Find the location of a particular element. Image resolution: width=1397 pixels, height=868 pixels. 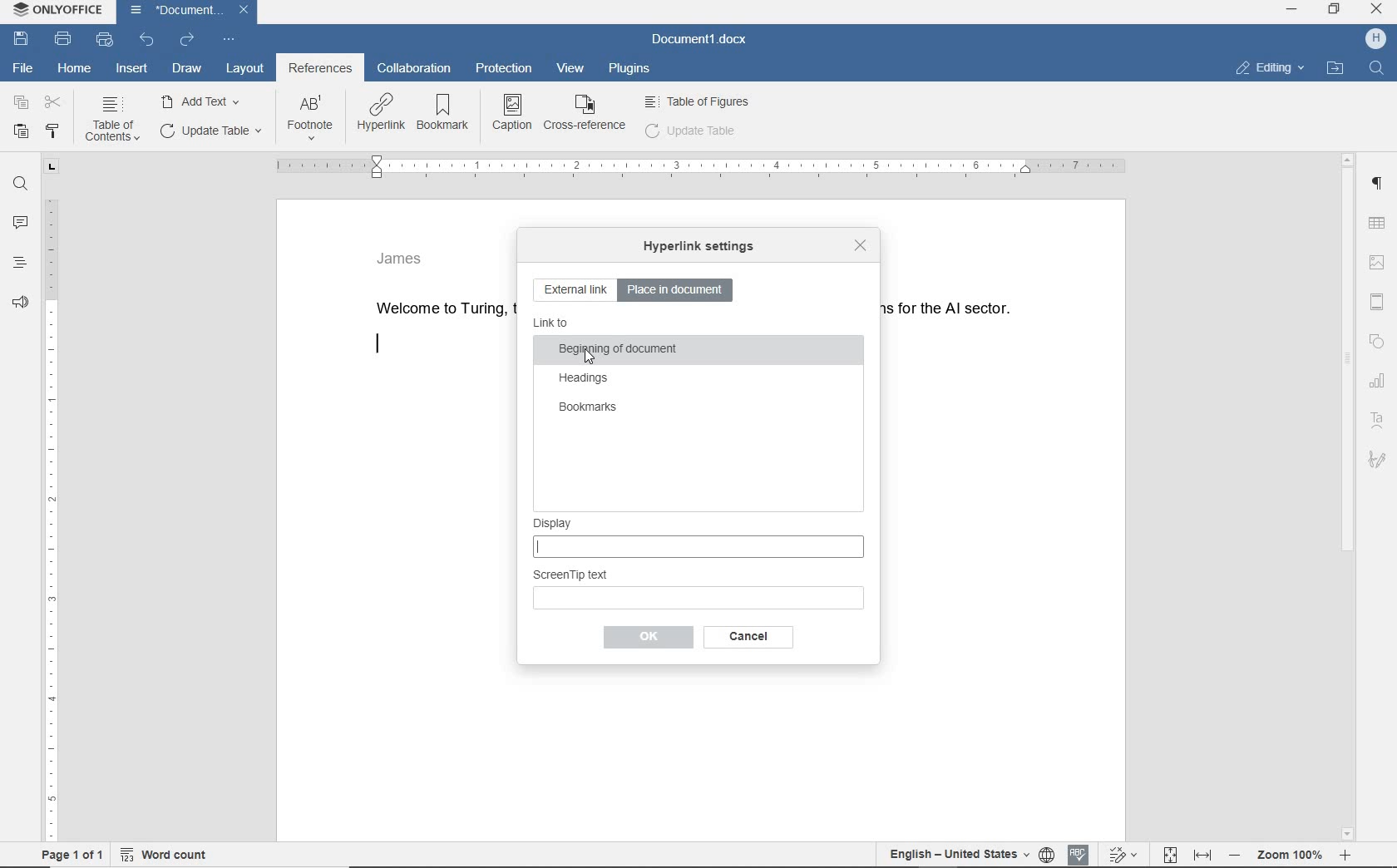

Editing is located at coordinates (1277, 67).